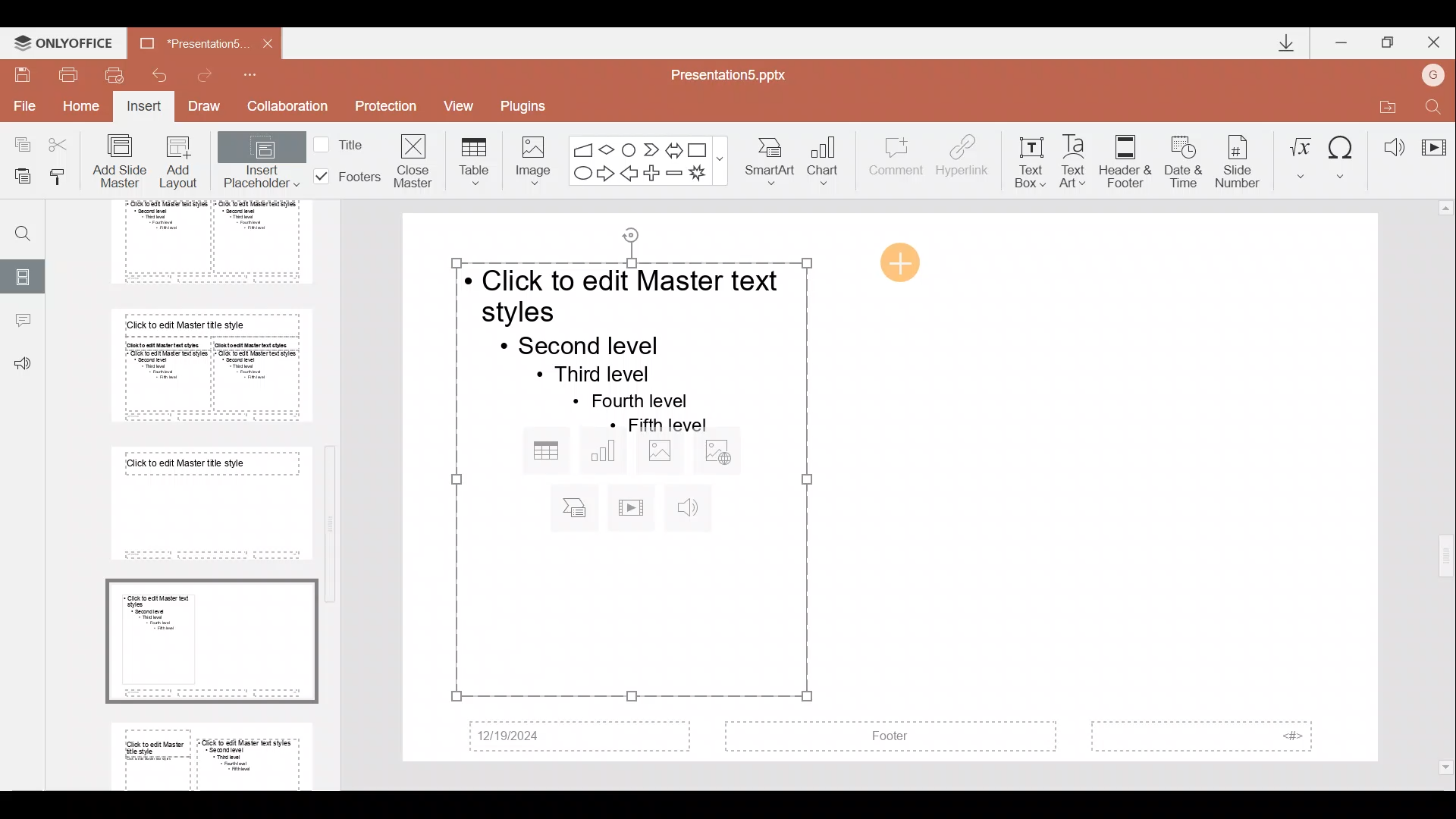  Describe the element at coordinates (649, 148) in the screenshot. I see `Chevron` at that location.